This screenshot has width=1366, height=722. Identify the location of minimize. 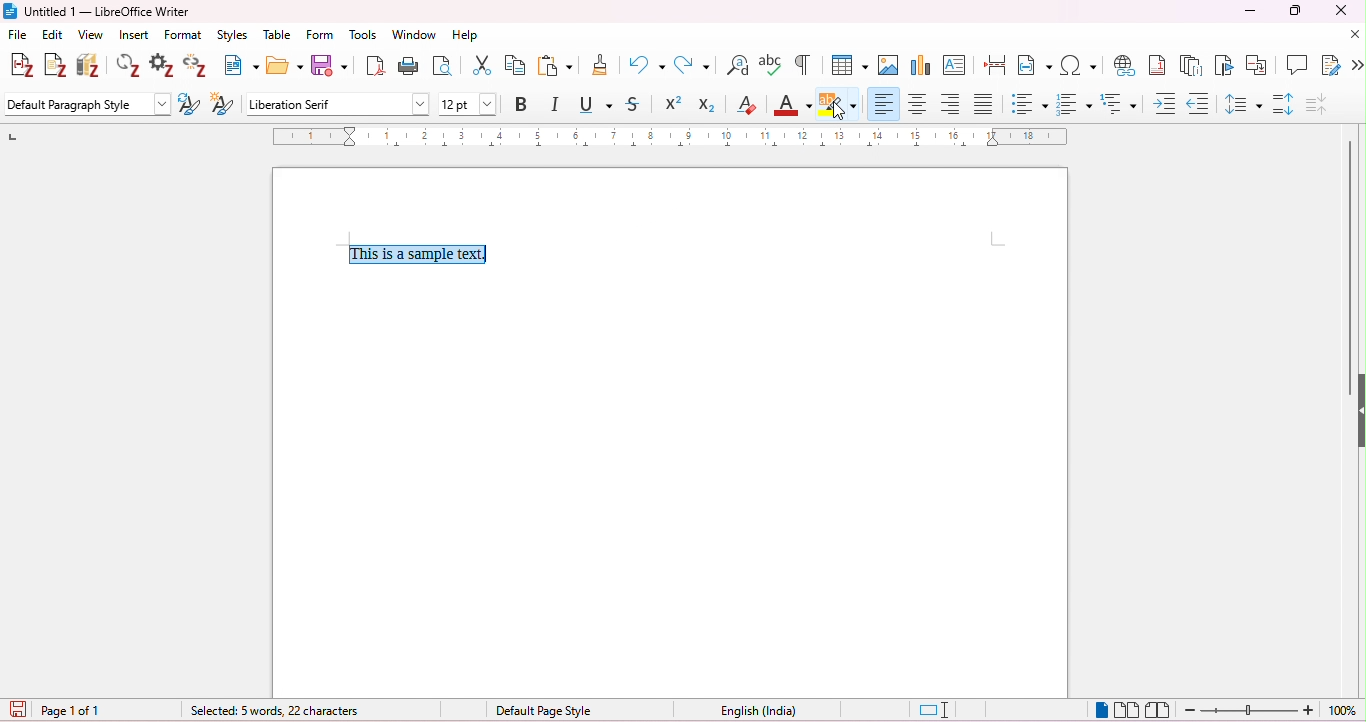
(1249, 13).